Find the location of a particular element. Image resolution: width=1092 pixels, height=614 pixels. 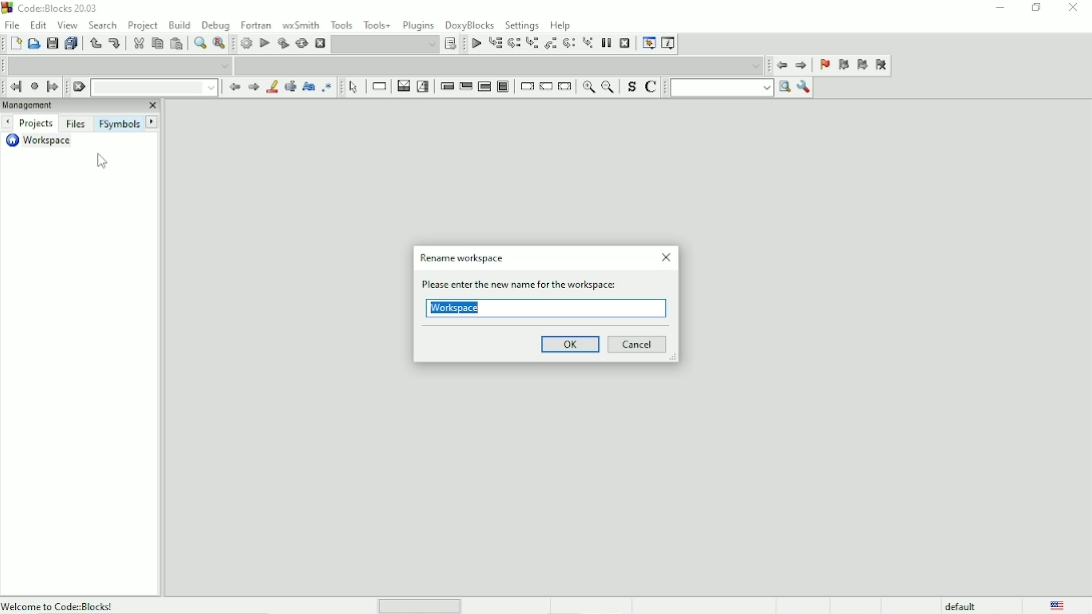

Step out is located at coordinates (550, 45).